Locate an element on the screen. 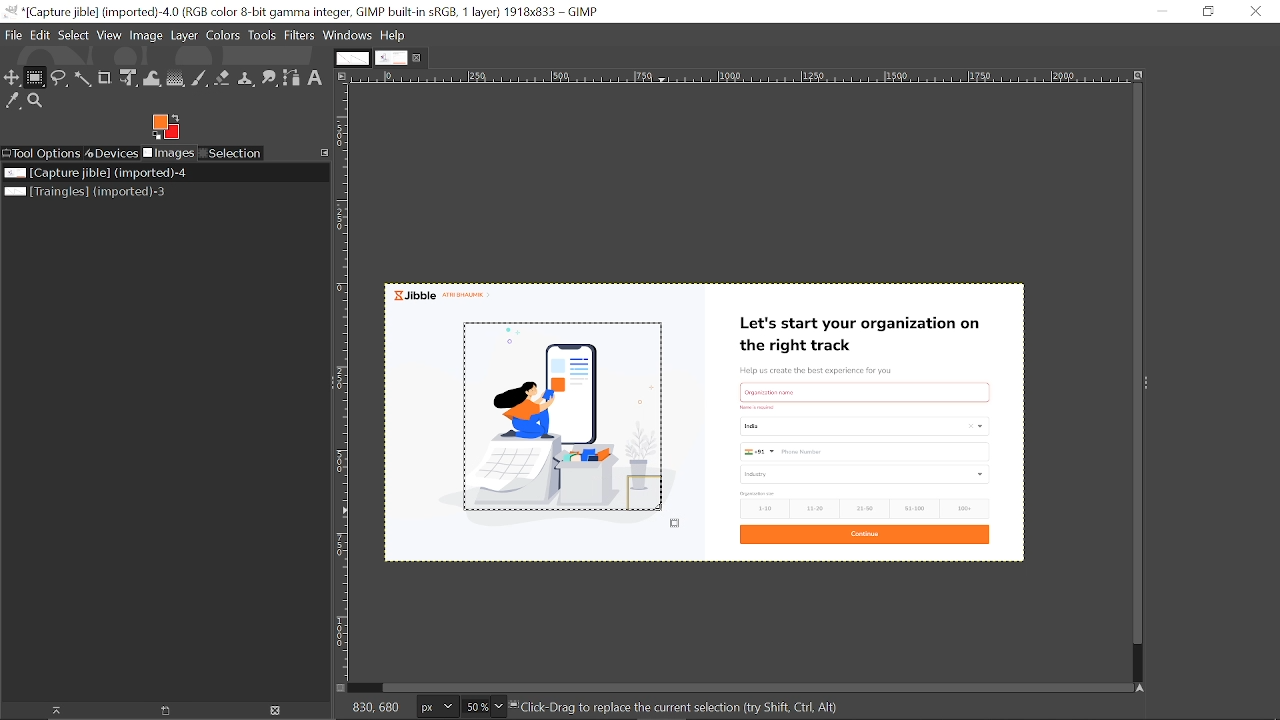 Image resolution: width=1280 pixels, height=720 pixels. Rectangular select tool is located at coordinates (36, 79).